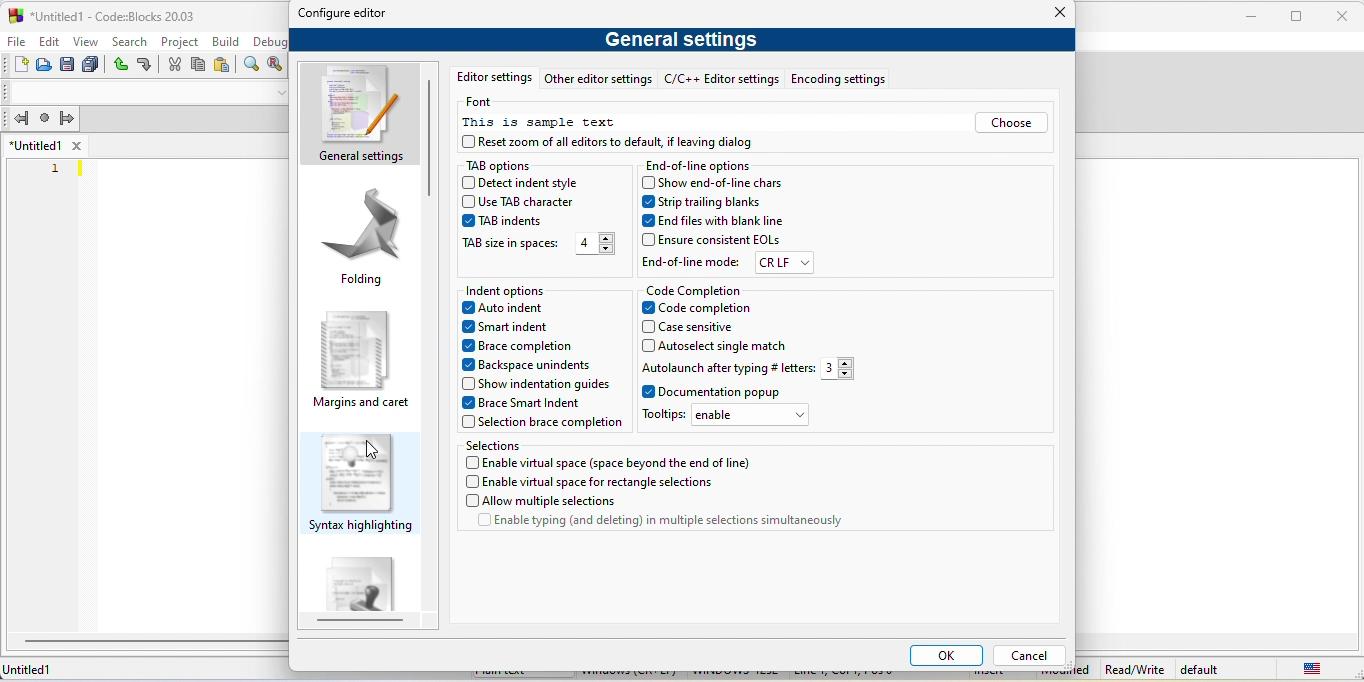  Describe the element at coordinates (480, 102) in the screenshot. I see `font` at that location.